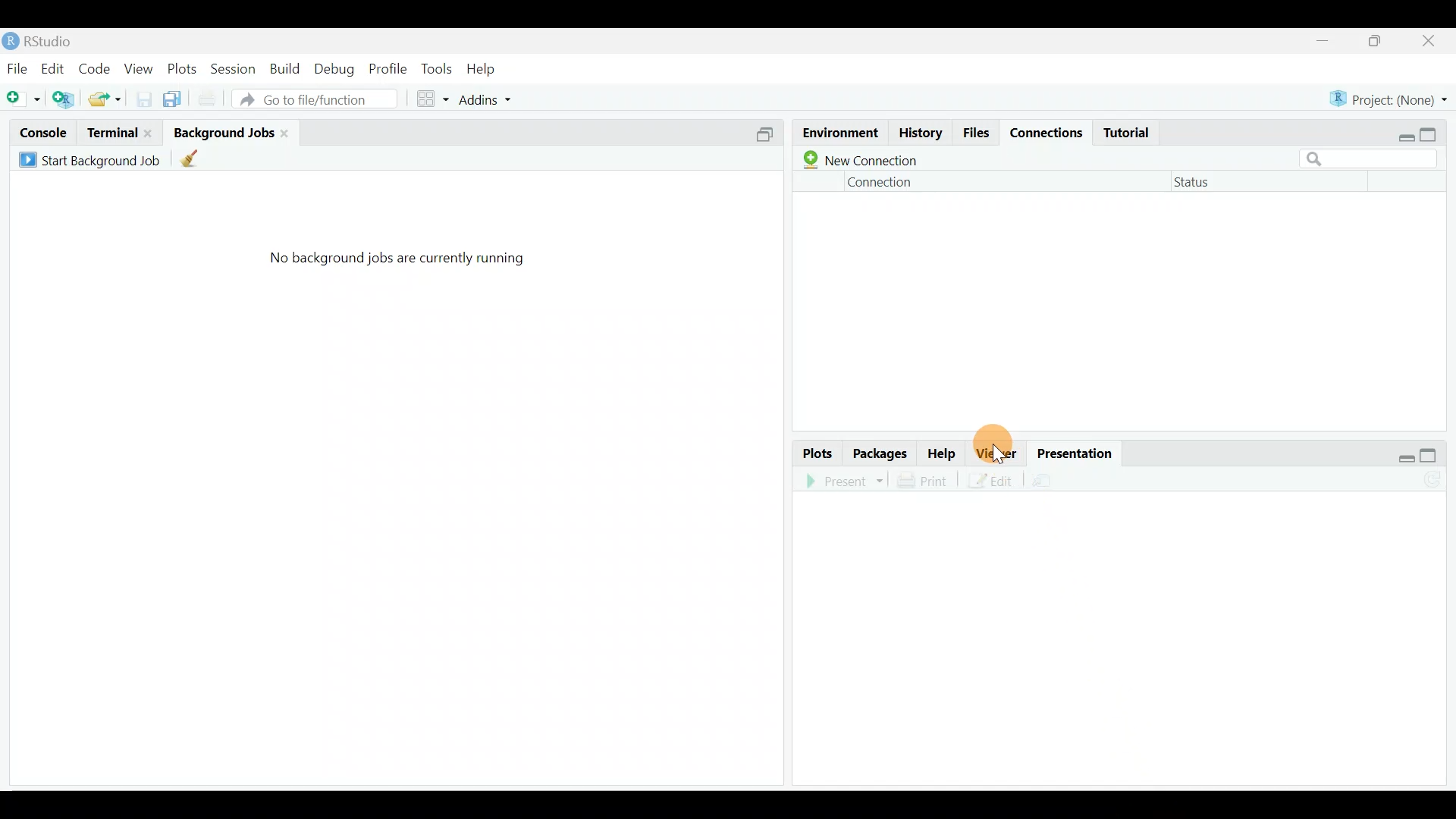 Image resolution: width=1456 pixels, height=819 pixels. What do you see at coordinates (943, 454) in the screenshot?
I see `Help` at bounding box center [943, 454].